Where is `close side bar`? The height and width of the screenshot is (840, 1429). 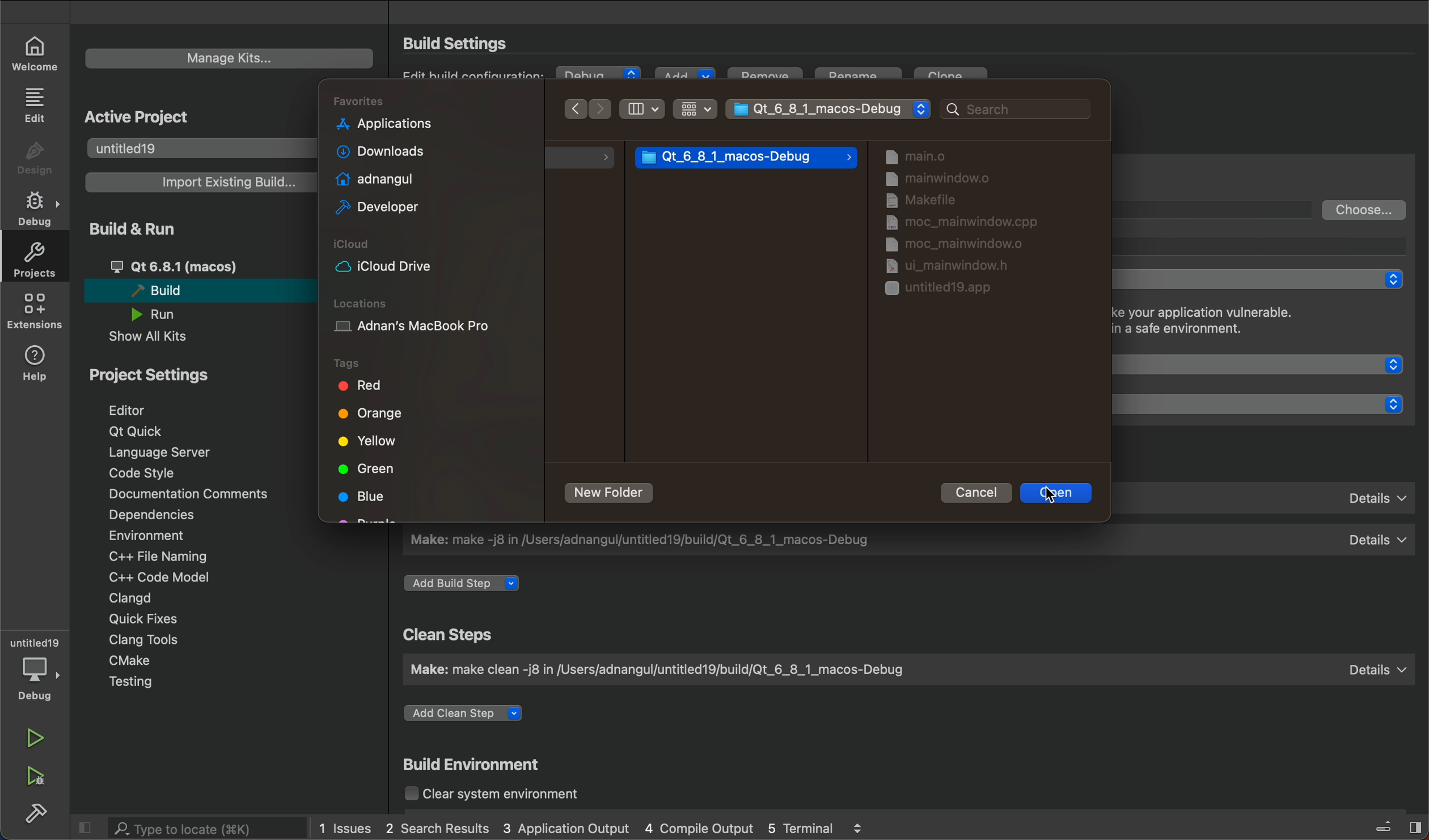
close side bar is located at coordinates (1387, 825).